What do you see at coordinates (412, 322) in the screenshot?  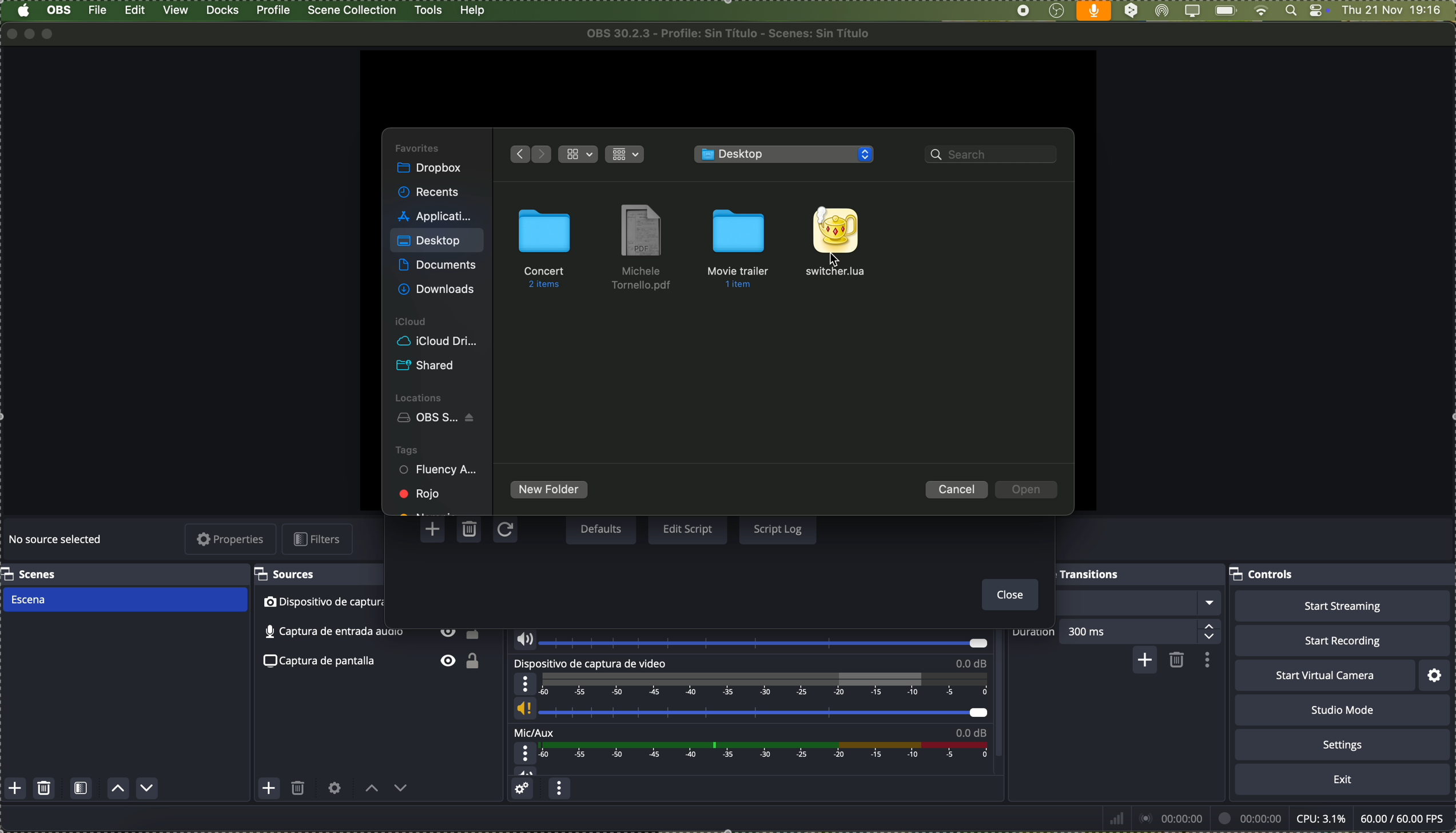 I see `icloud` at bounding box center [412, 322].